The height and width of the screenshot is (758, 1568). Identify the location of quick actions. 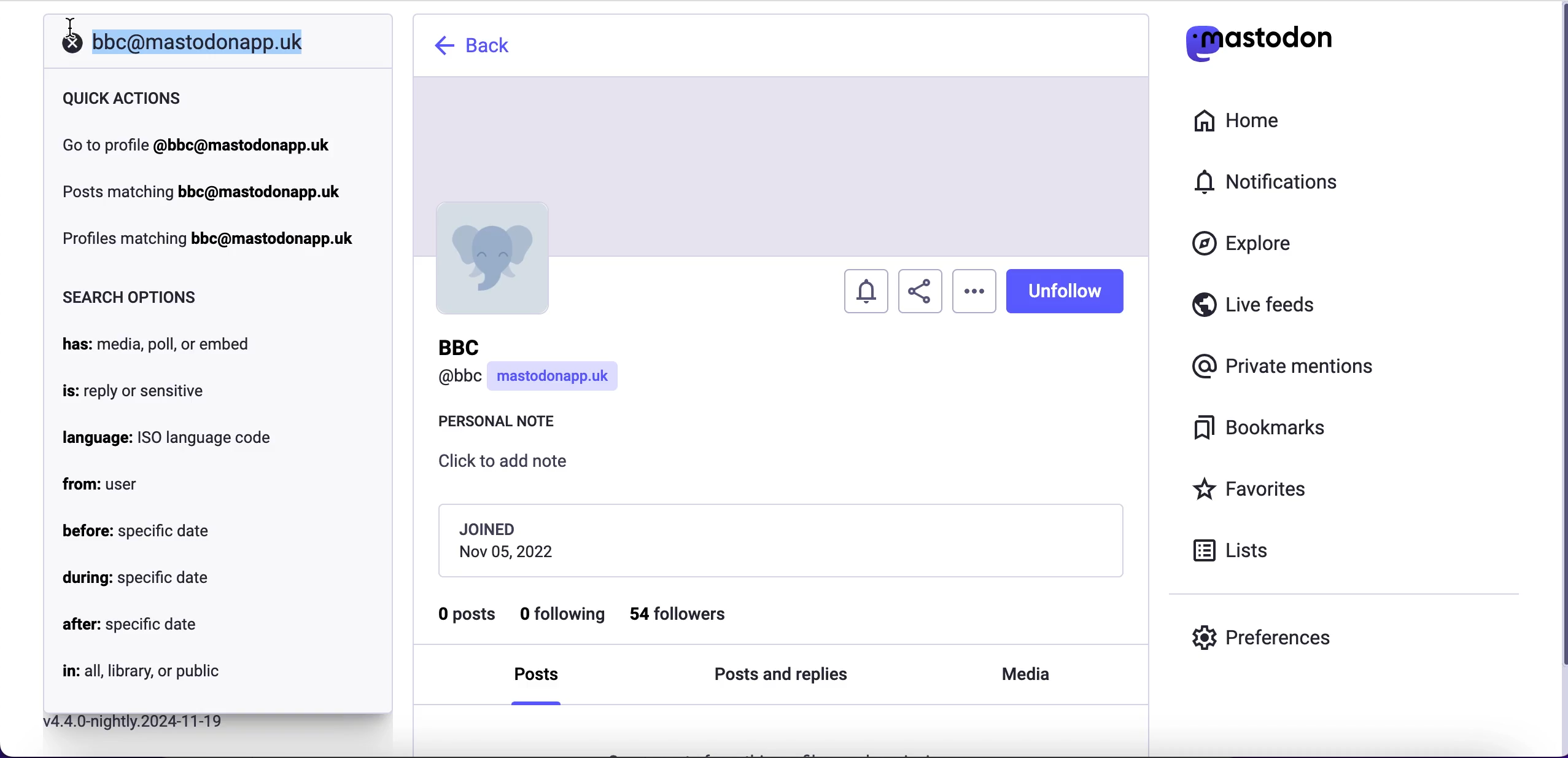
(128, 98).